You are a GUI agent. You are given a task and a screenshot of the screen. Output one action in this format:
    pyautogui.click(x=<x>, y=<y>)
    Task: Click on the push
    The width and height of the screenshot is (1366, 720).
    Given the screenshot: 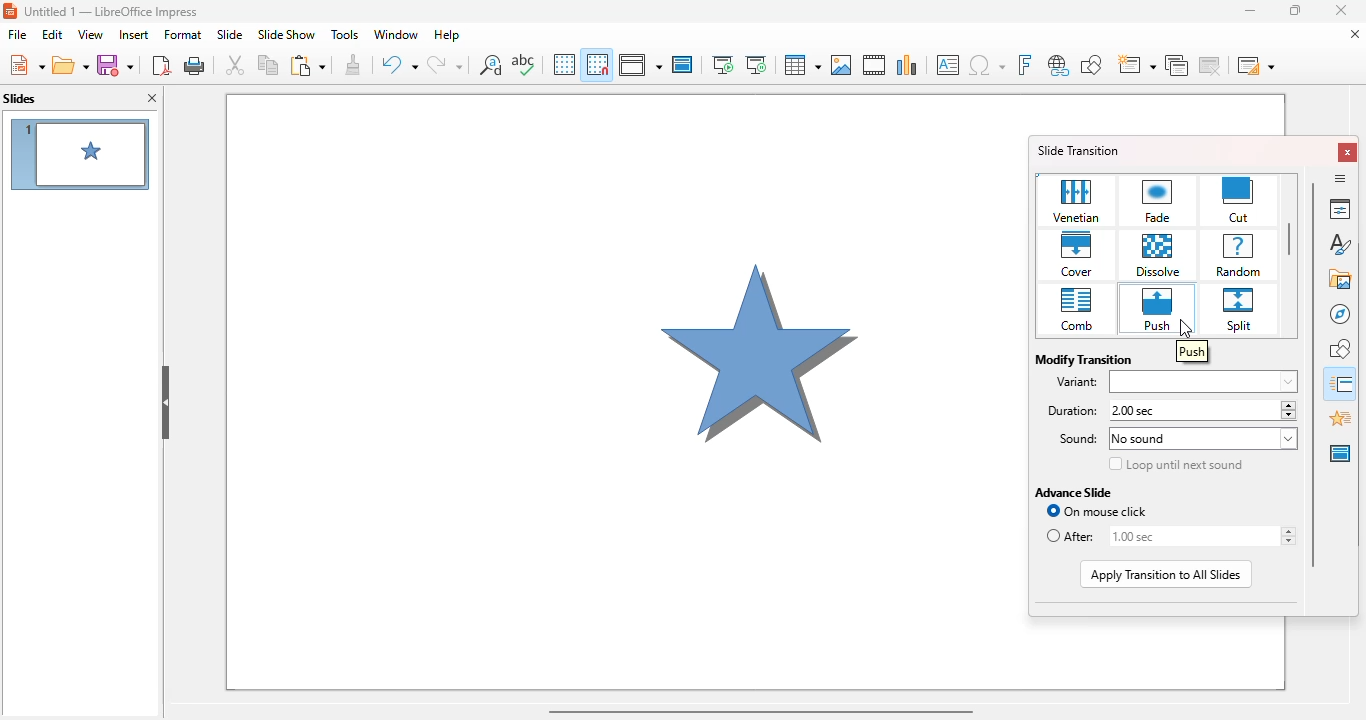 What is the action you would take?
    pyautogui.click(x=1156, y=309)
    